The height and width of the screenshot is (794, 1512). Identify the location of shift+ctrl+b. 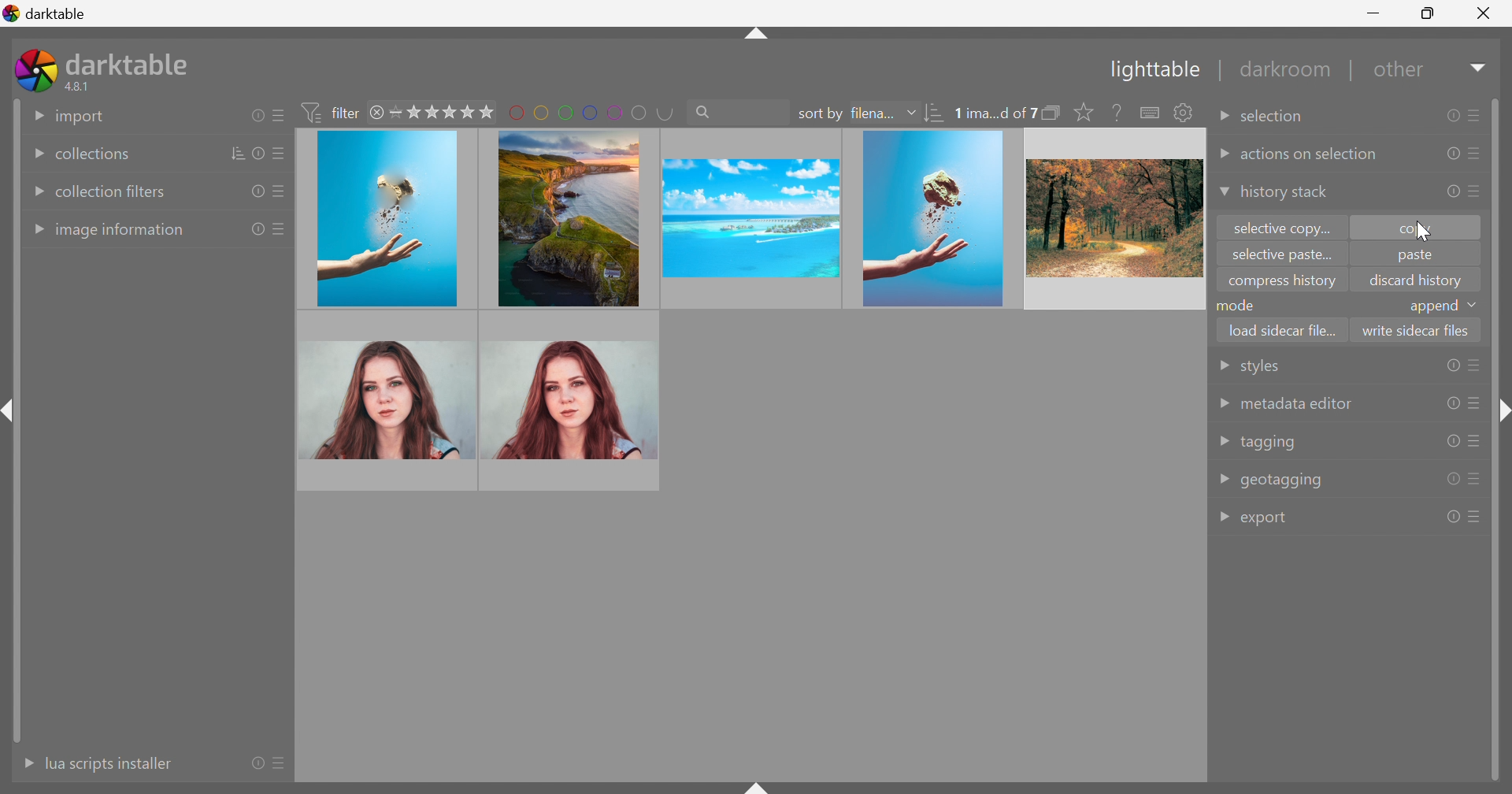
(758, 785).